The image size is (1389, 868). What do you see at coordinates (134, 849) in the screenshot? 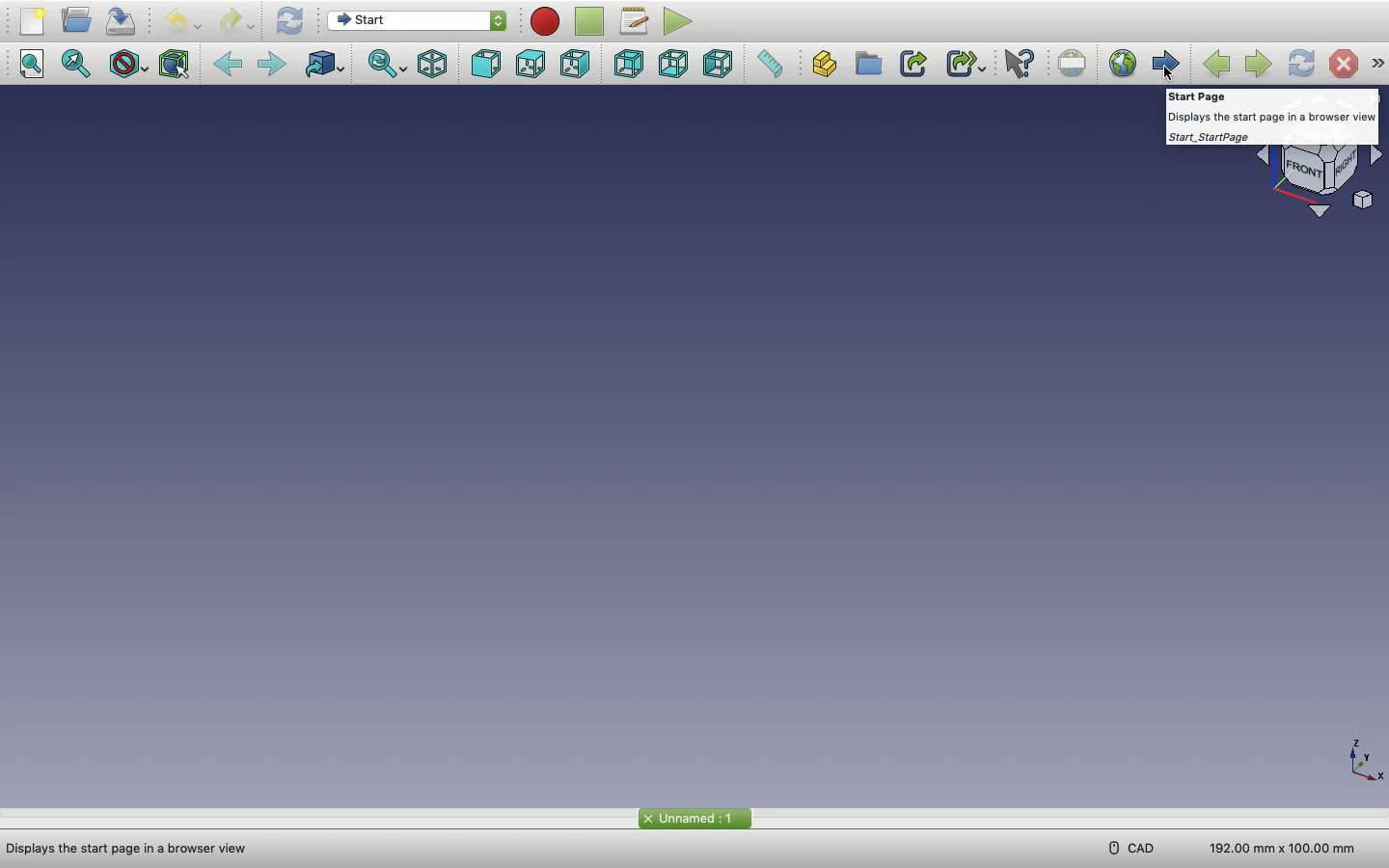
I see `Address` at bounding box center [134, 849].